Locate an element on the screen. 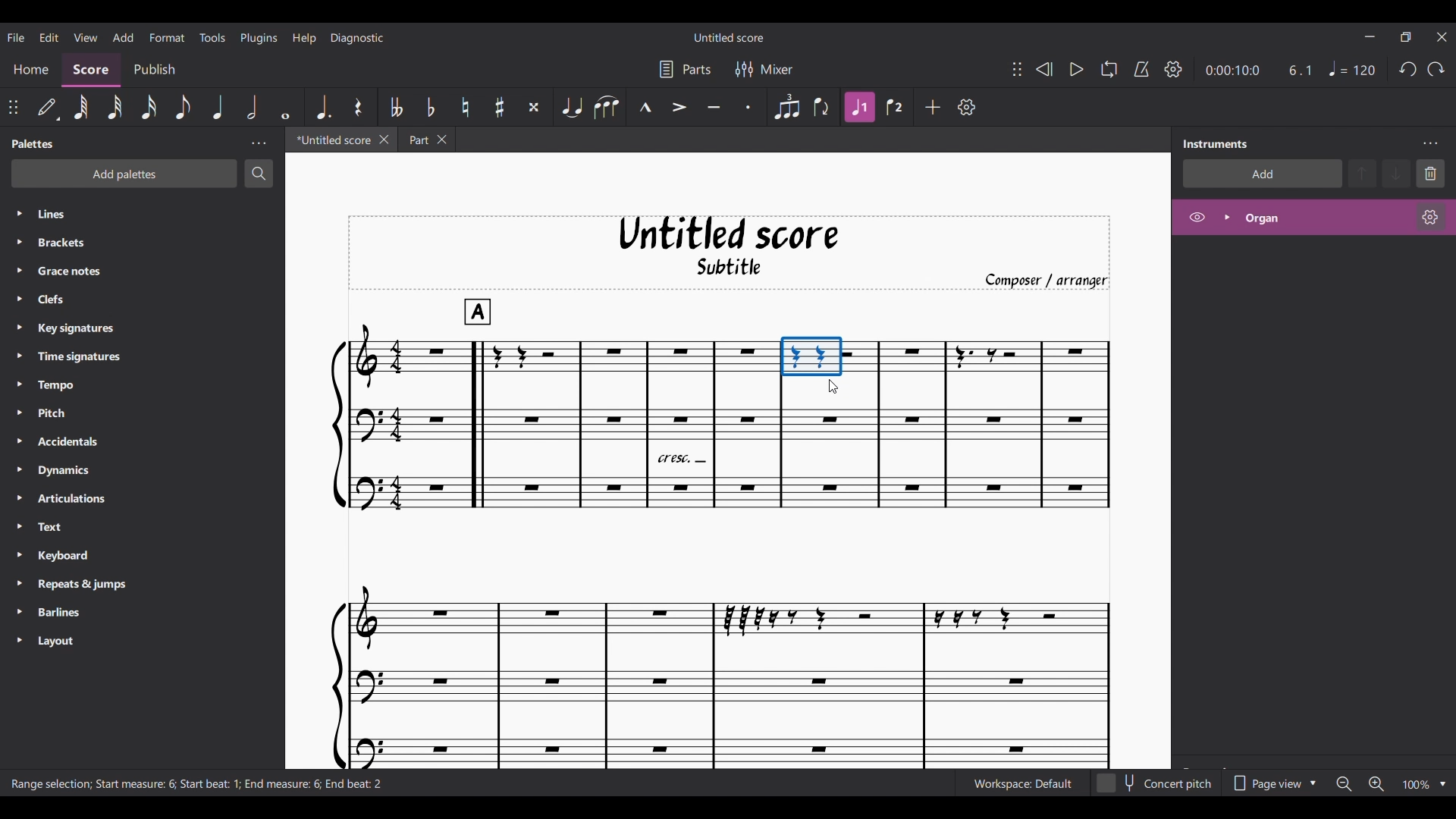 The width and height of the screenshot is (1456, 819). Zoom out is located at coordinates (1345, 784).